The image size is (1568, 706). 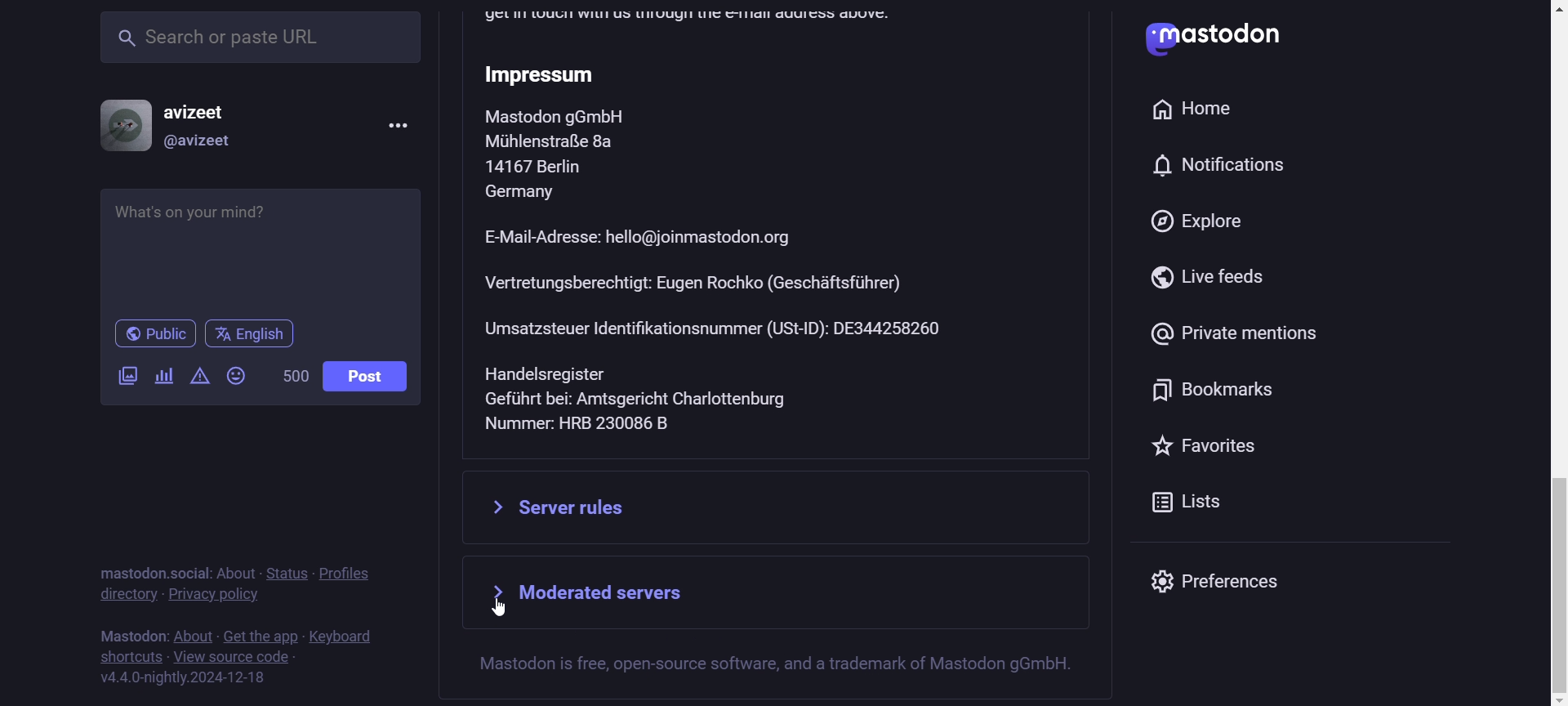 What do you see at coordinates (118, 123) in the screenshot?
I see `display picture` at bounding box center [118, 123].